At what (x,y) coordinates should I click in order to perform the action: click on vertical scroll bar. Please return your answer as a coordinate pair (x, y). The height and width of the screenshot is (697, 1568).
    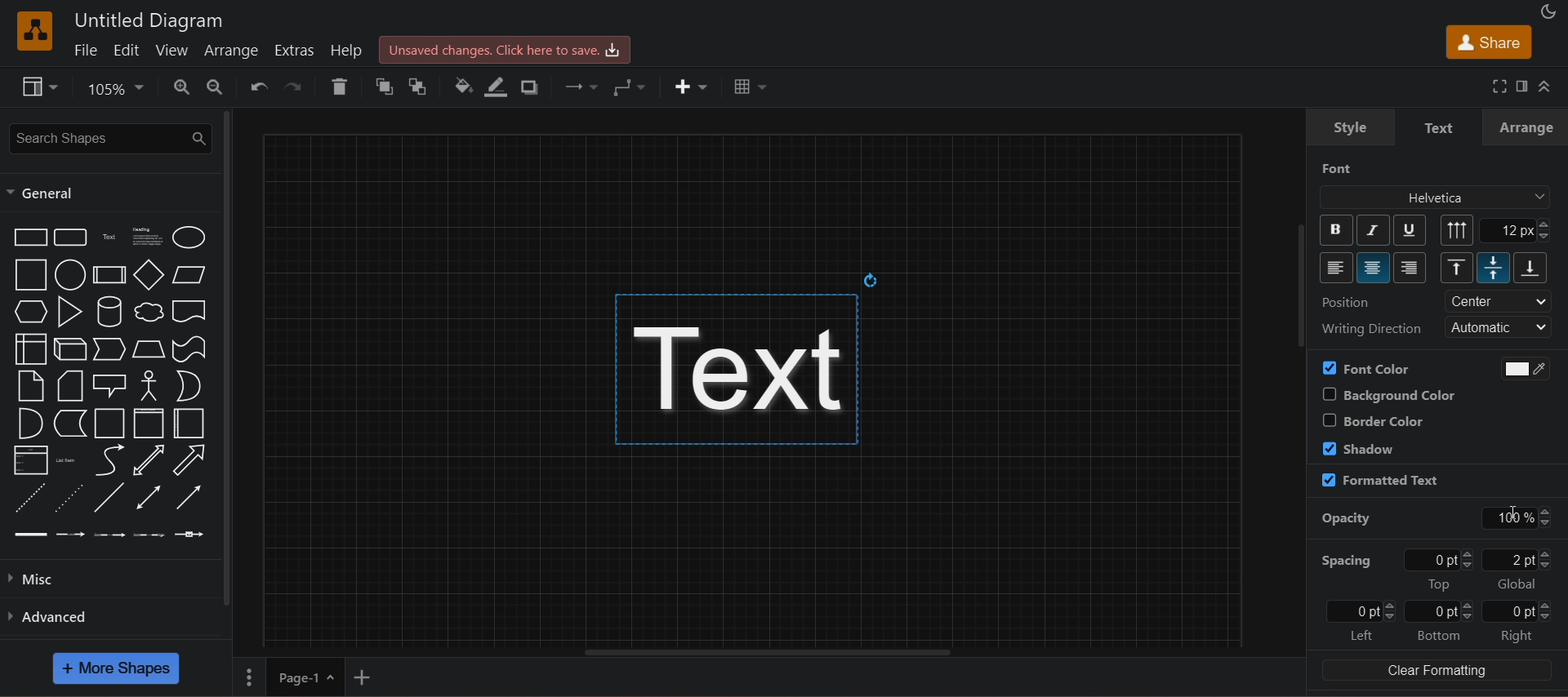
    Looking at the image, I should click on (226, 357).